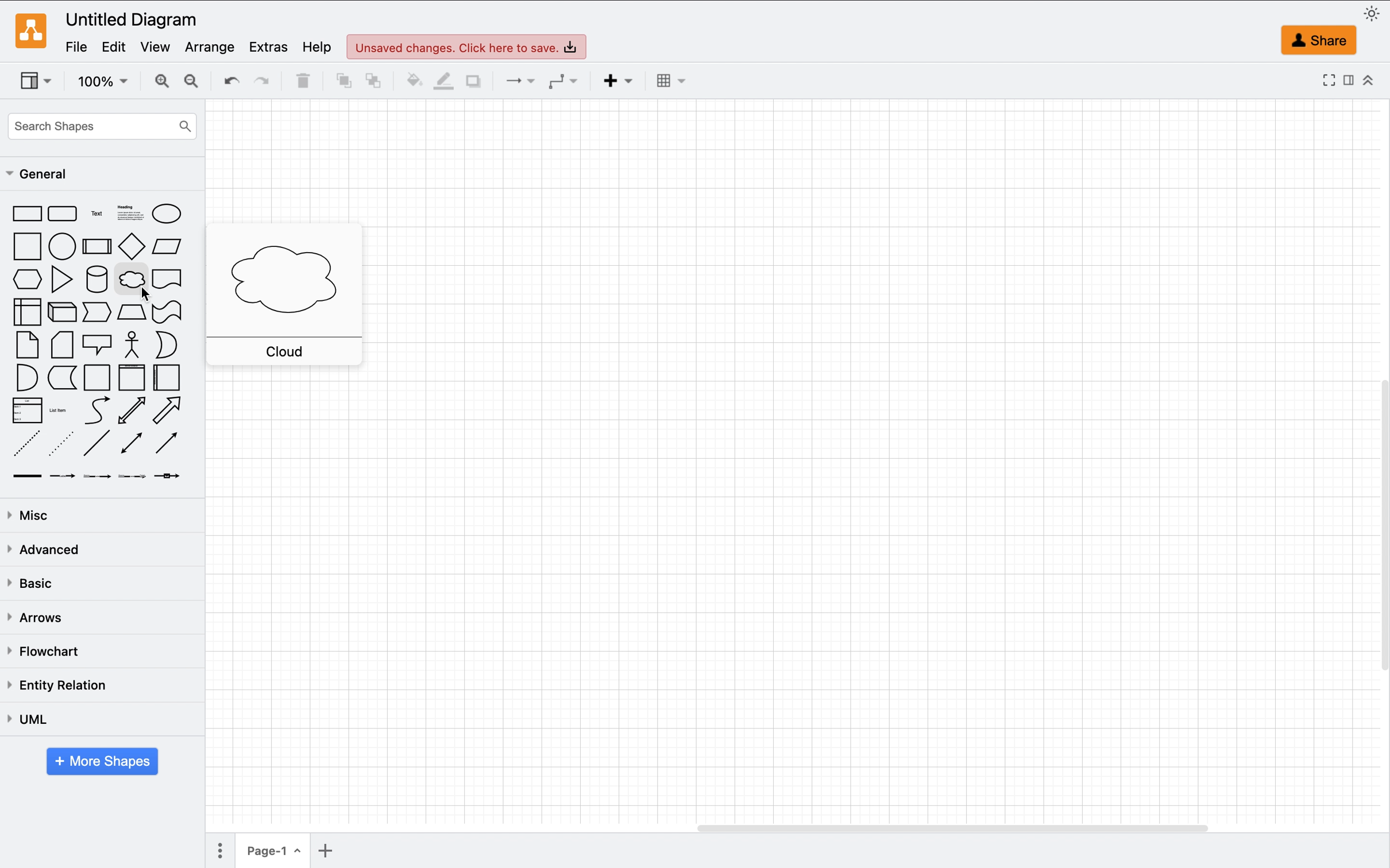 The height and width of the screenshot is (868, 1390). I want to click on entity relation, so click(60, 688).